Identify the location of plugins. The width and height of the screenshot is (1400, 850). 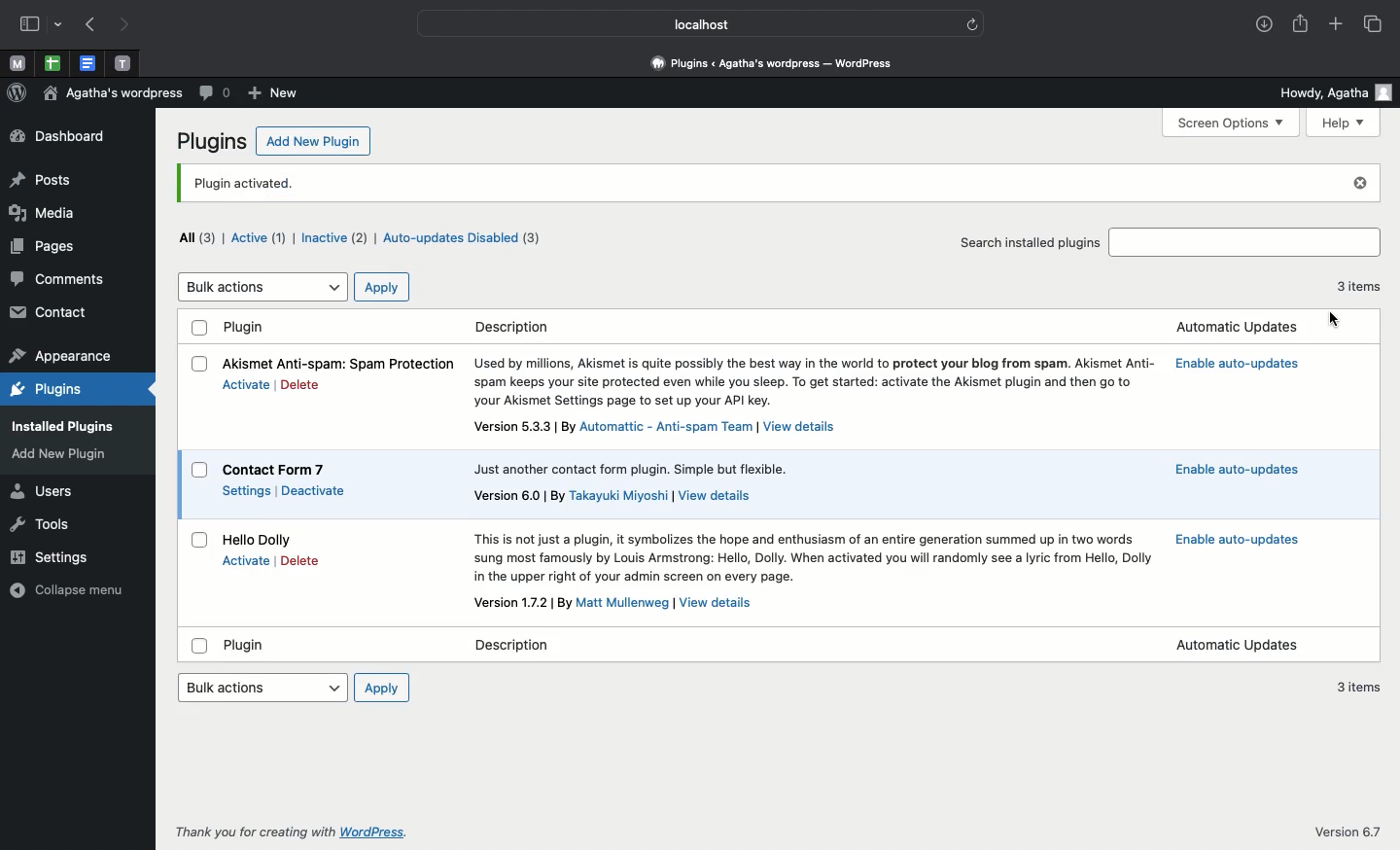
(45, 391).